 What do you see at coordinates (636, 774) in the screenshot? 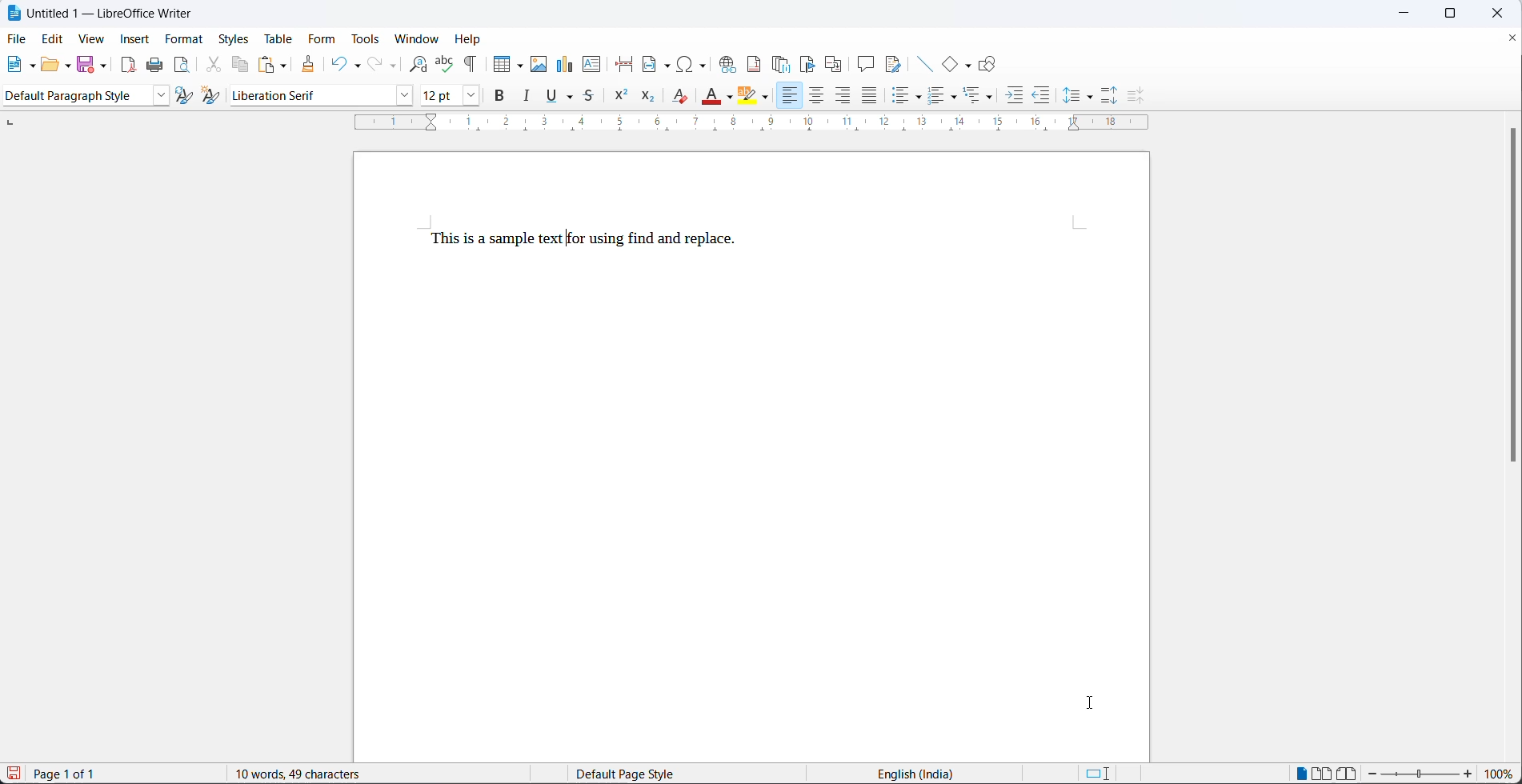
I see `Default page style` at bounding box center [636, 774].